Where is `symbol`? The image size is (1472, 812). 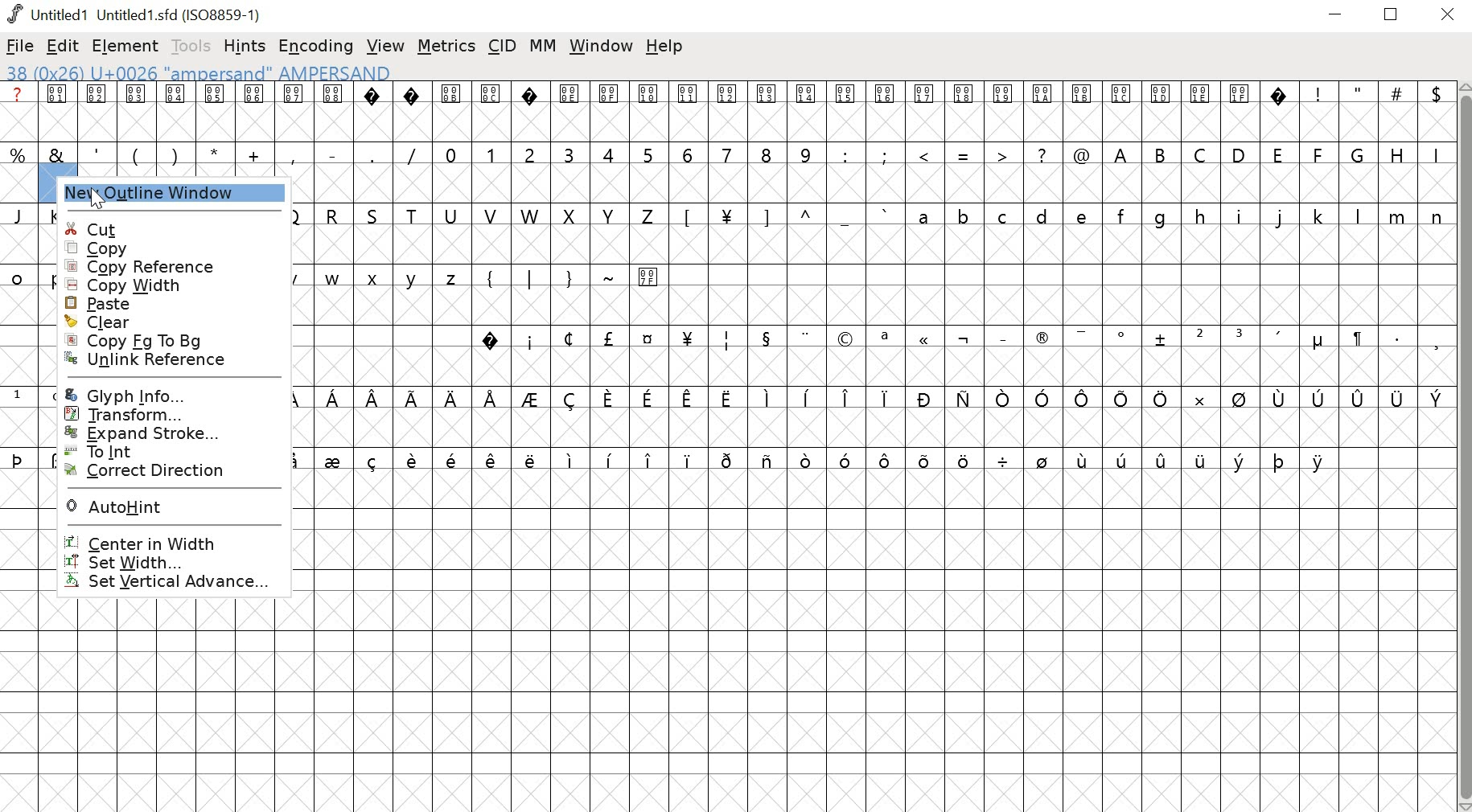
symbol is located at coordinates (1163, 457).